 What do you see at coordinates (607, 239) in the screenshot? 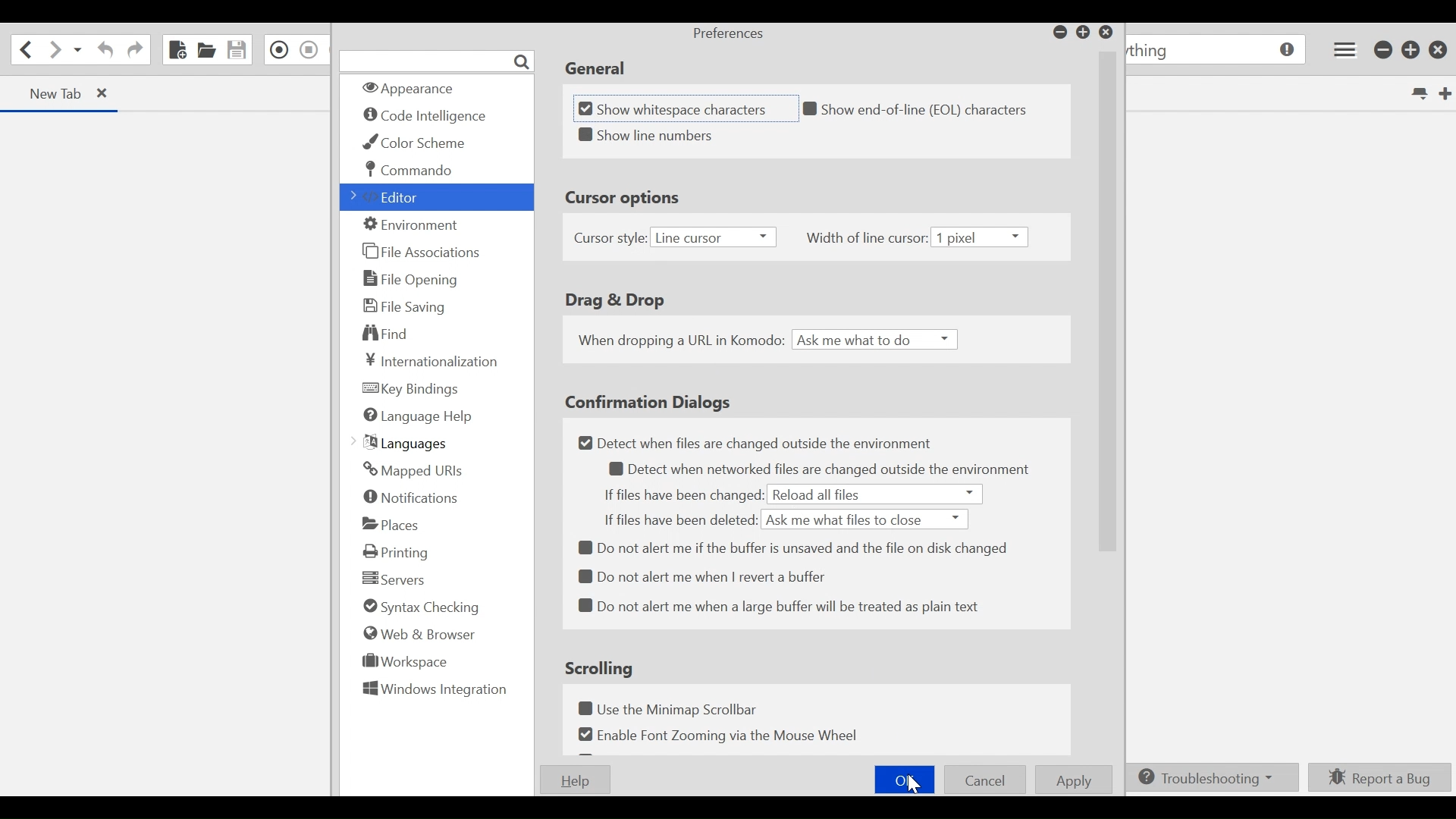
I see `Cursor style:` at bounding box center [607, 239].